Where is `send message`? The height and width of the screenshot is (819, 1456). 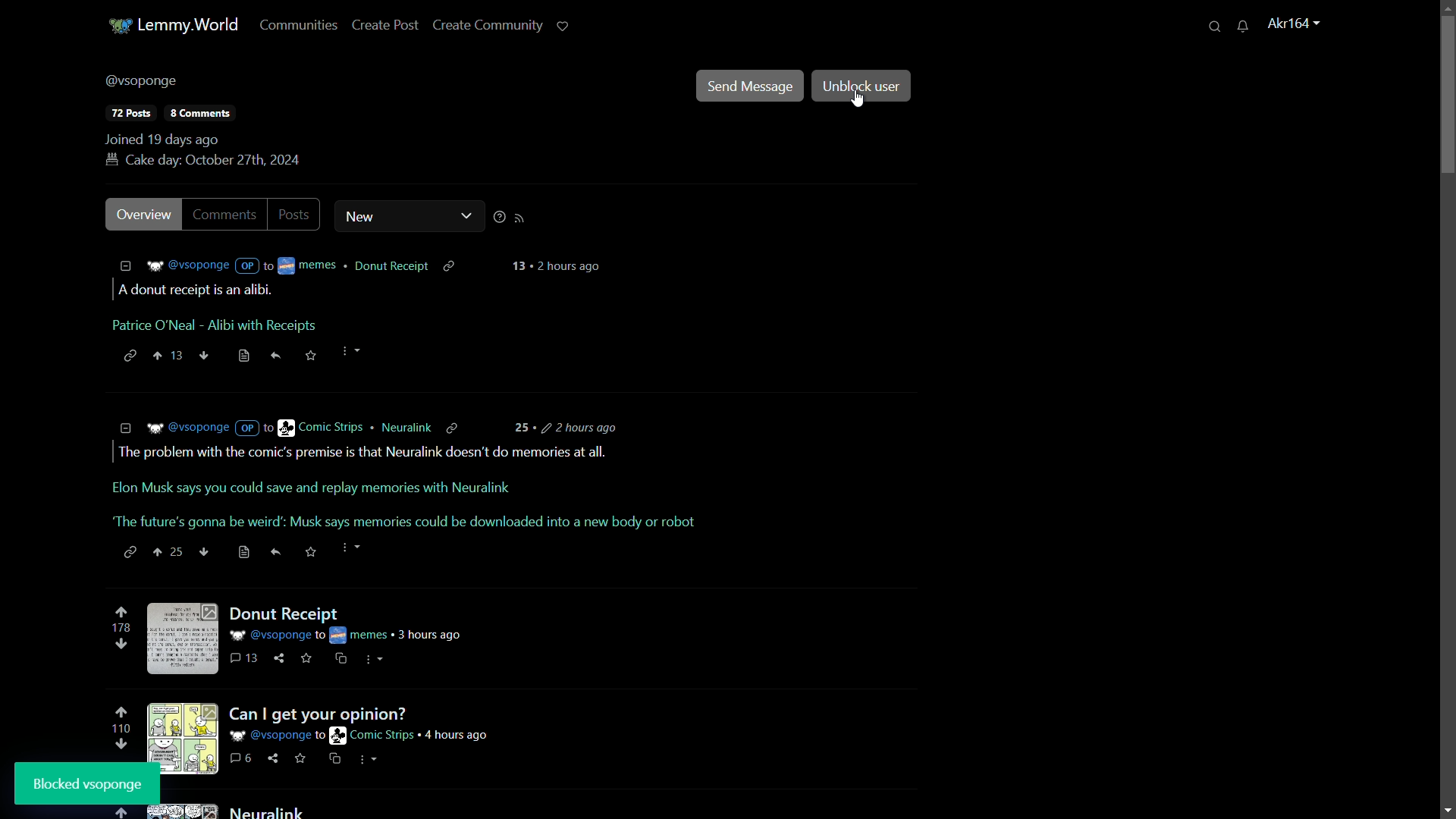 send message is located at coordinates (754, 87).